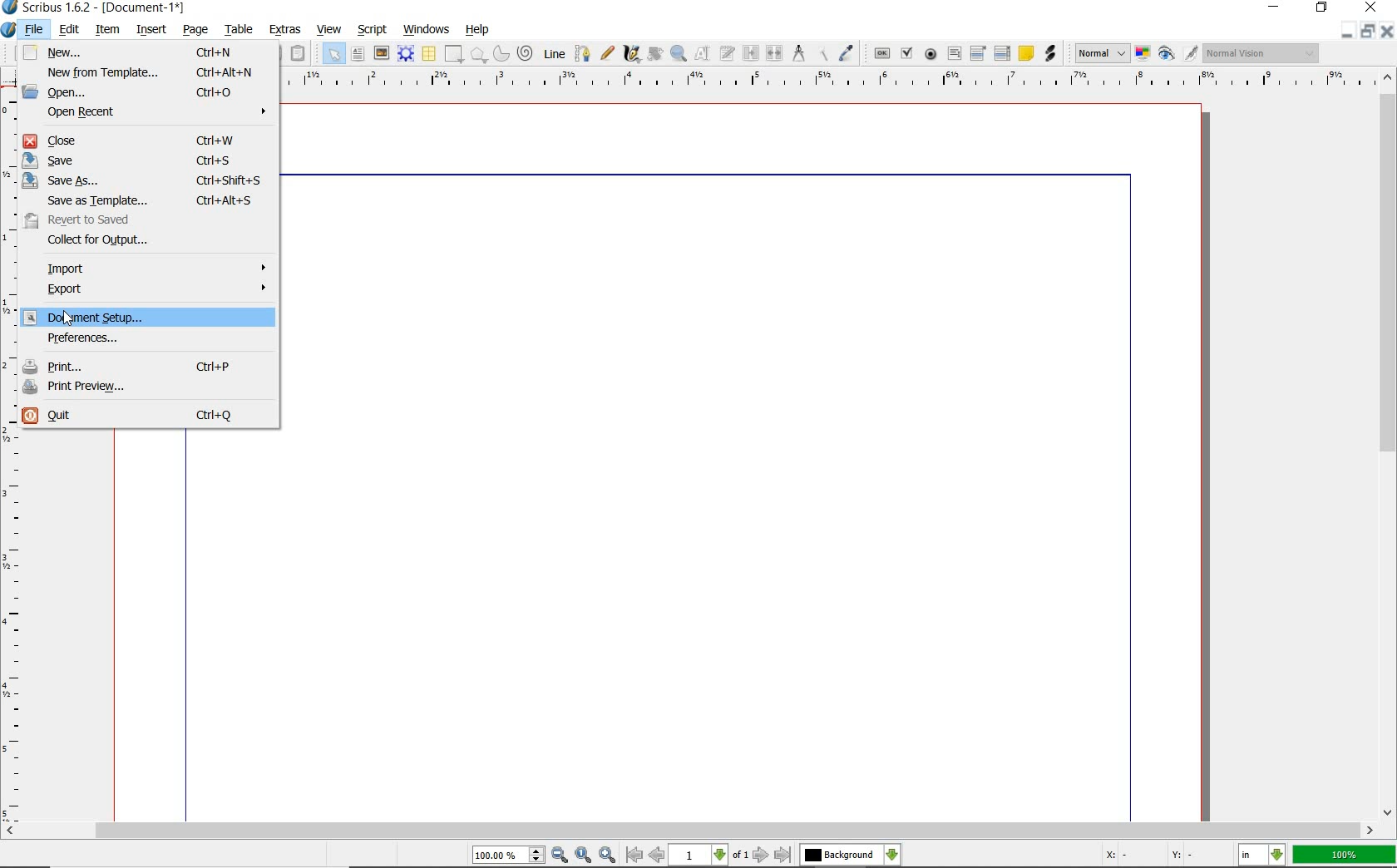 This screenshot has width=1397, height=868. What do you see at coordinates (149, 72) in the screenshot?
I see `new from template` at bounding box center [149, 72].